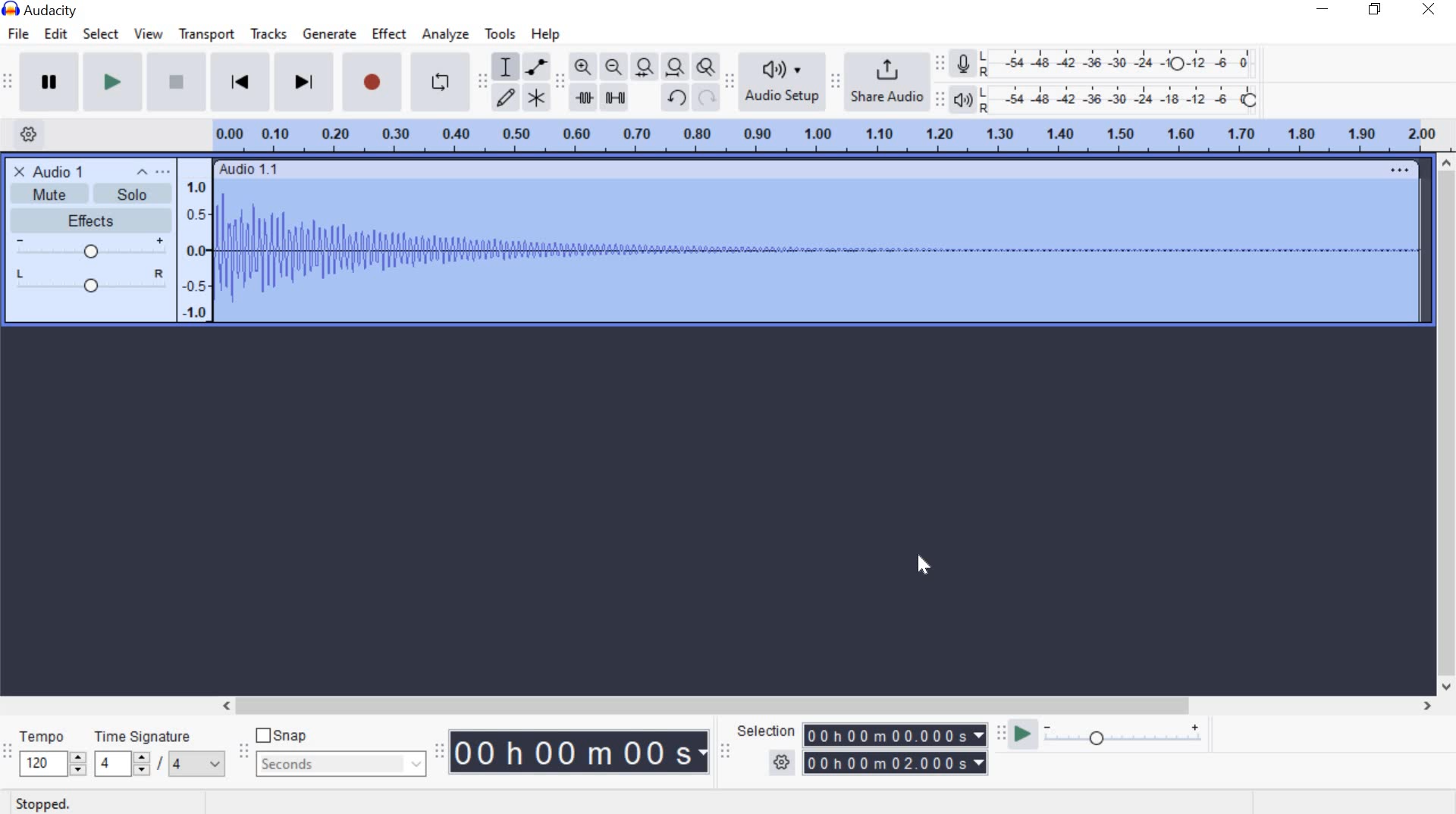  I want to click on selection, so click(764, 731).